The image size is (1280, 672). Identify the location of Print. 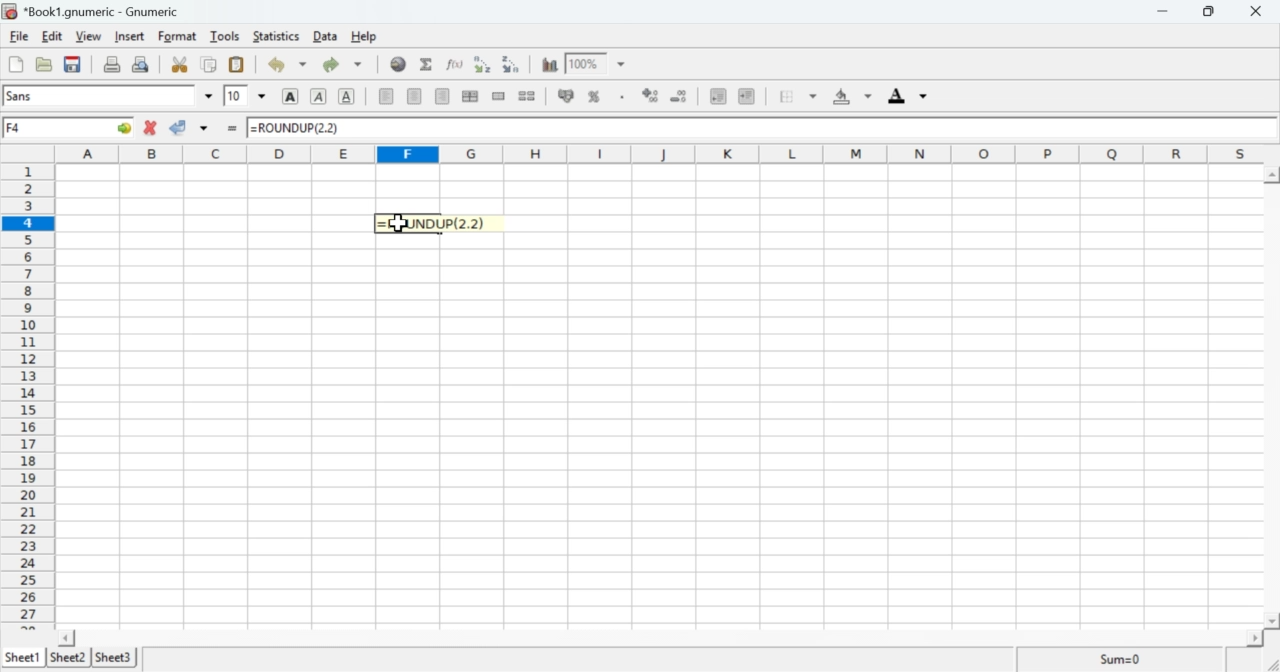
(110, 64).